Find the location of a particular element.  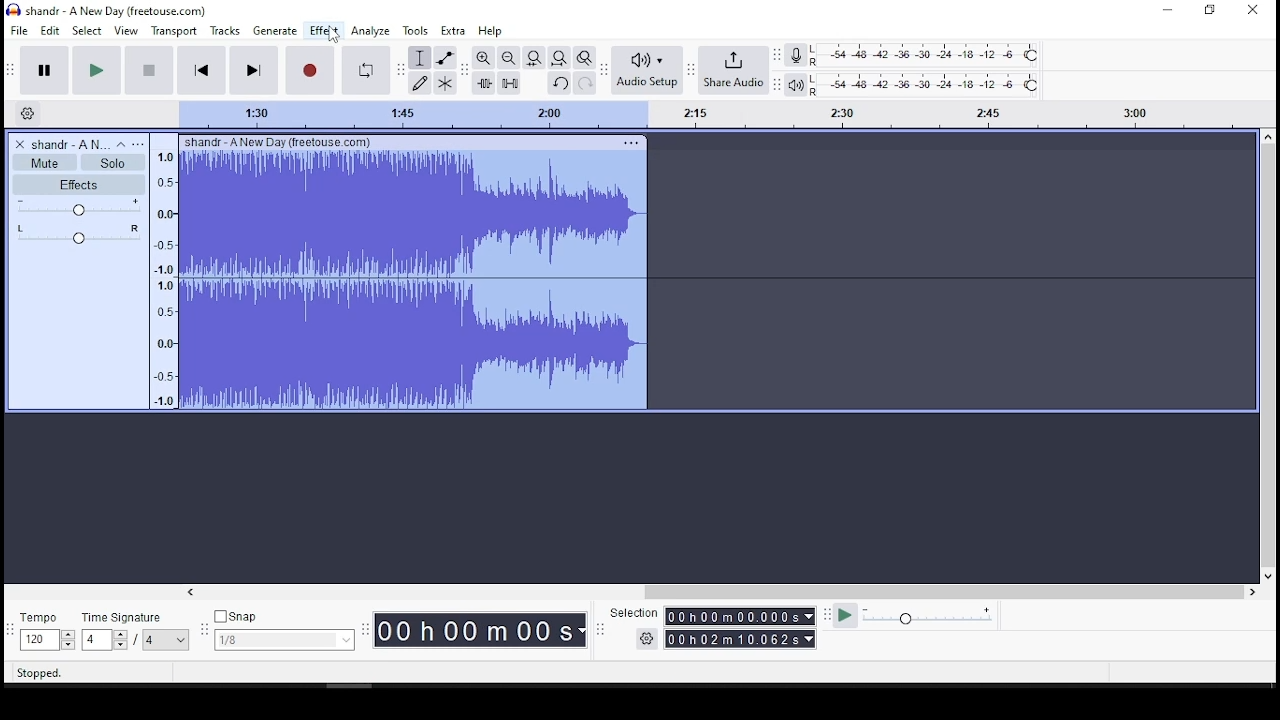

multi tool is located at coordinates (446, 84).